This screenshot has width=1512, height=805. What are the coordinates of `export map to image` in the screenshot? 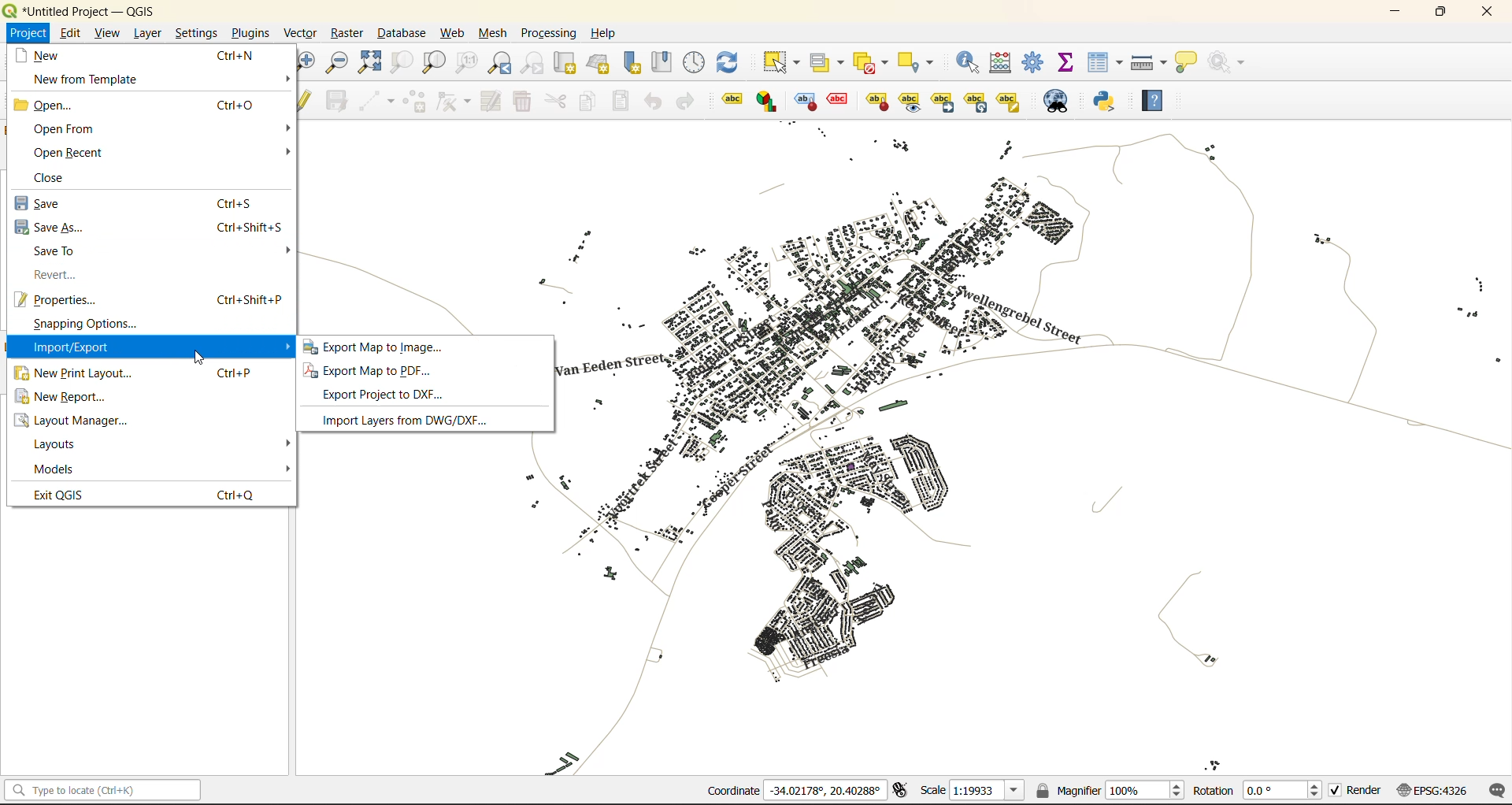 It's located at (395, 347).